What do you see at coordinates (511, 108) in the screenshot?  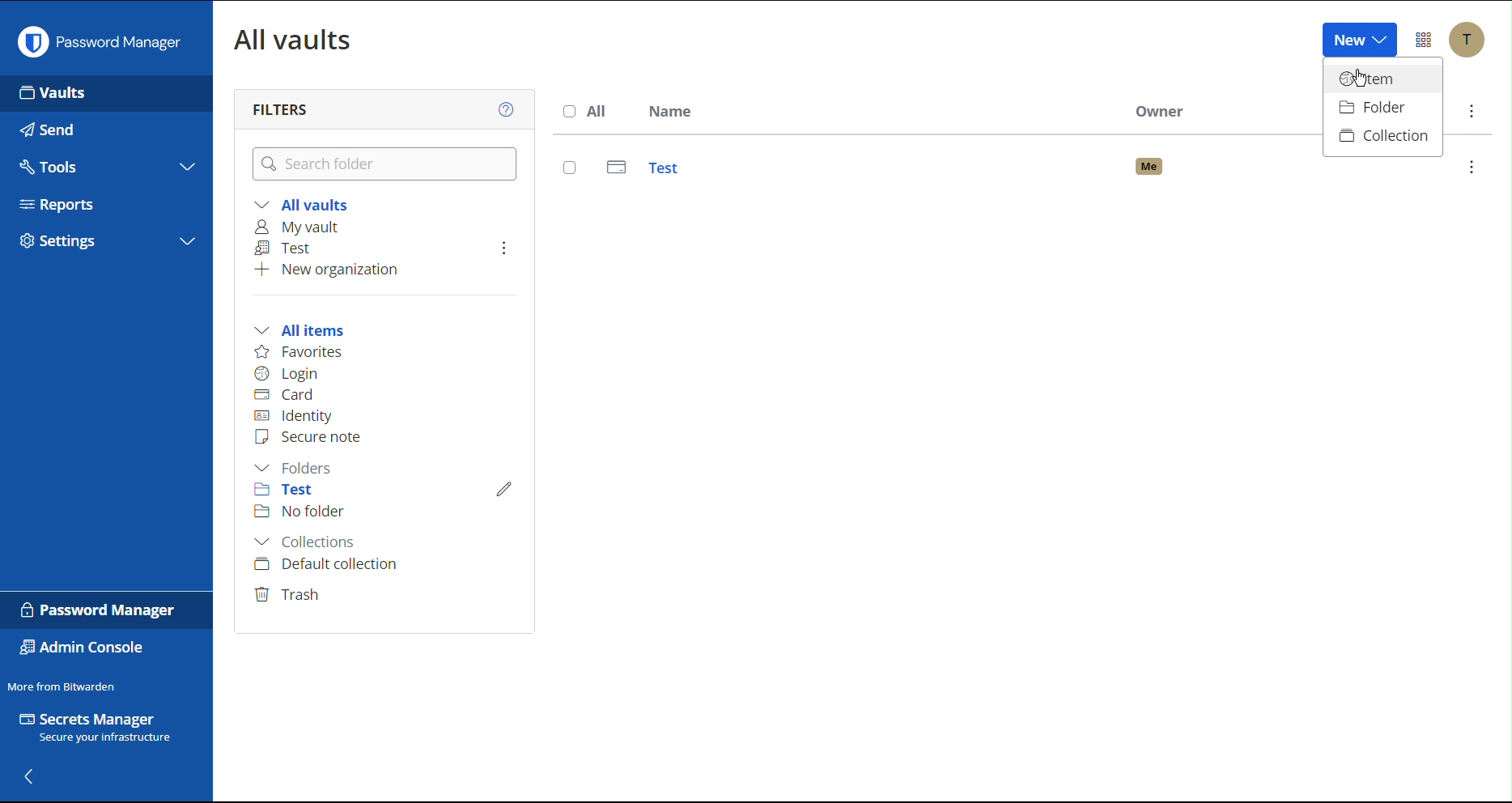 I see `Help` at bounding box center [511, 108].